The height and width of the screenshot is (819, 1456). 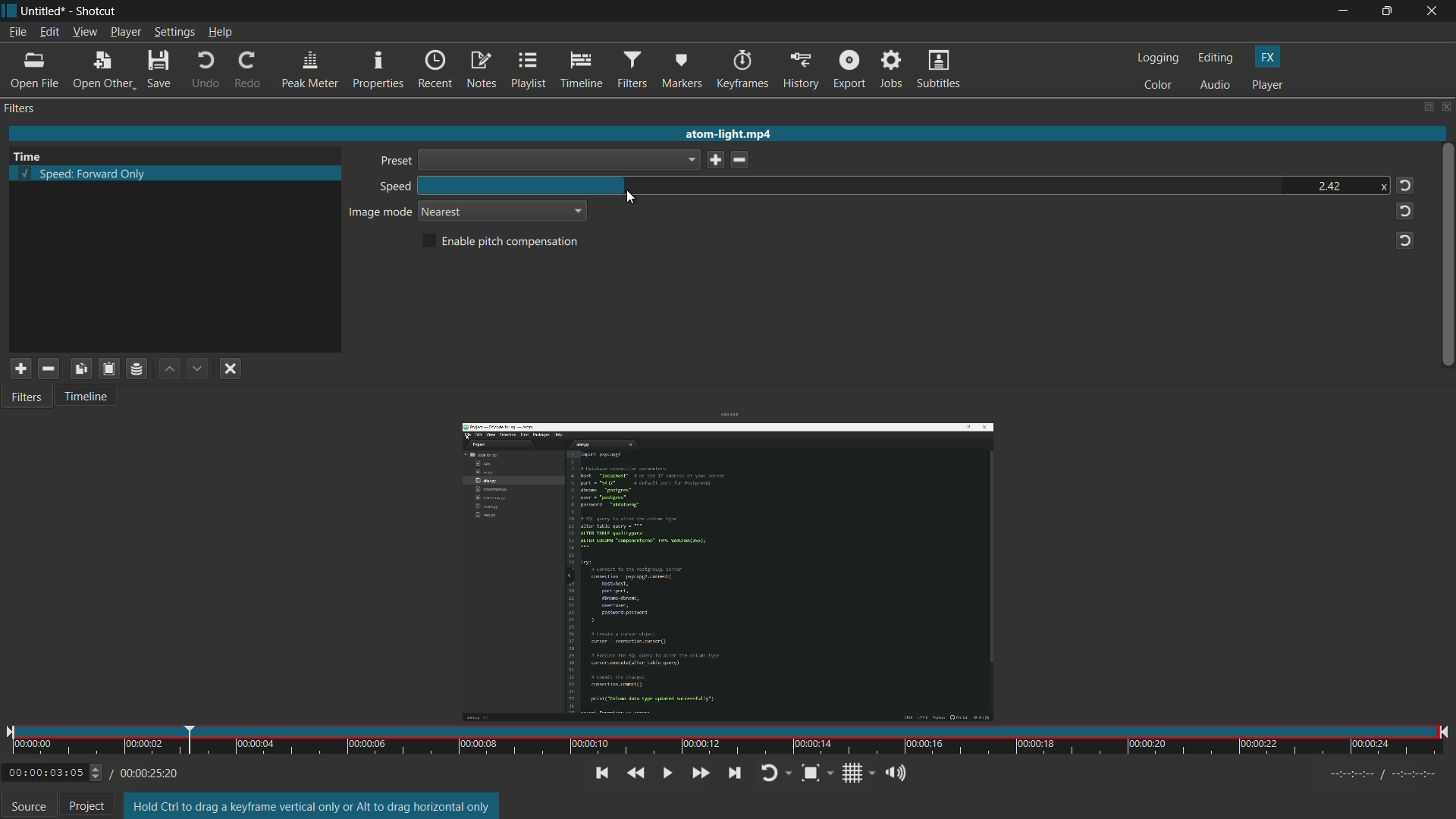 I want to click on deselect filter, so click(x=231, y=370).